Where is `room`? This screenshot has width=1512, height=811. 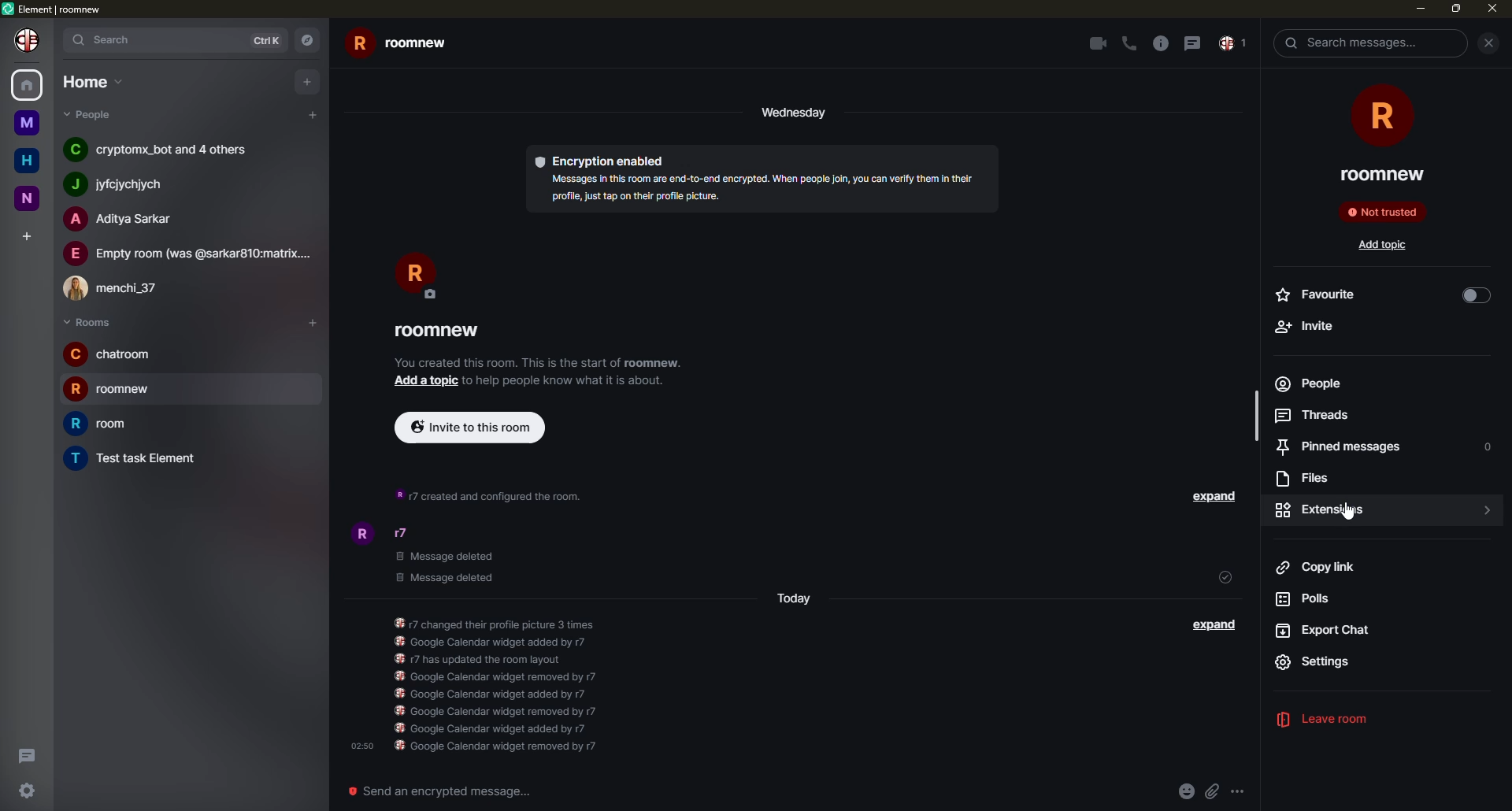 room is located at coordinates (439, 331).